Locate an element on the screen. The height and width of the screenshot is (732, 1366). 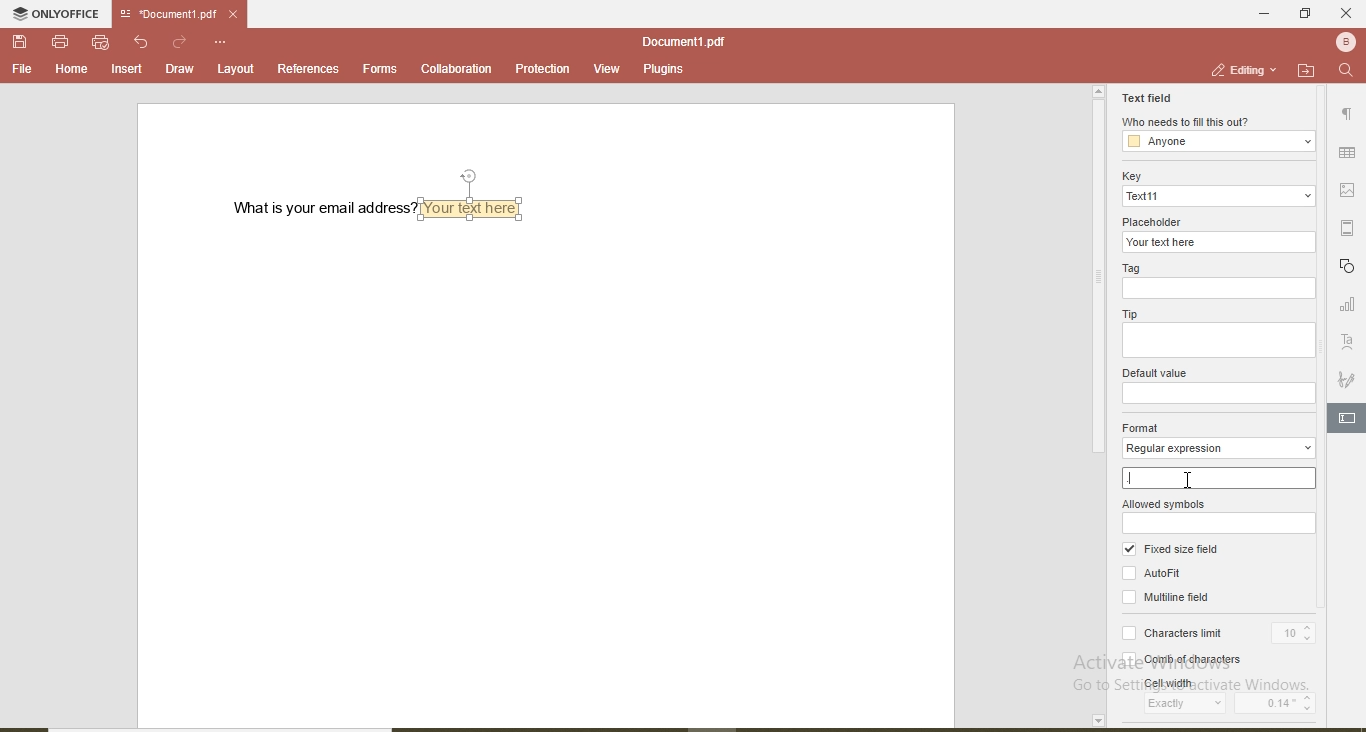
signature is located at coordinates (1347, 381).